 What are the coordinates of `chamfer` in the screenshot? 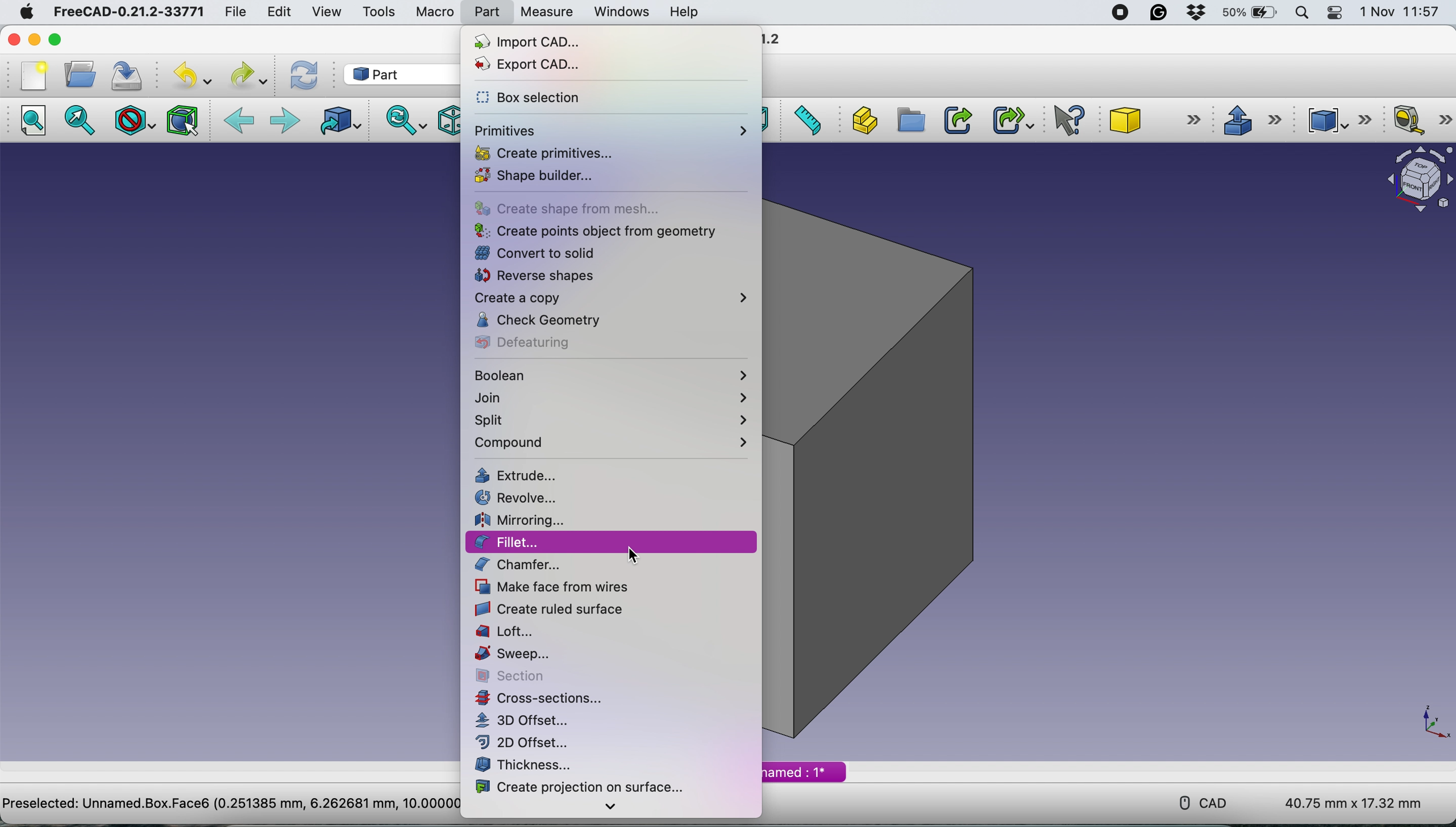 It's located at (525, 565).